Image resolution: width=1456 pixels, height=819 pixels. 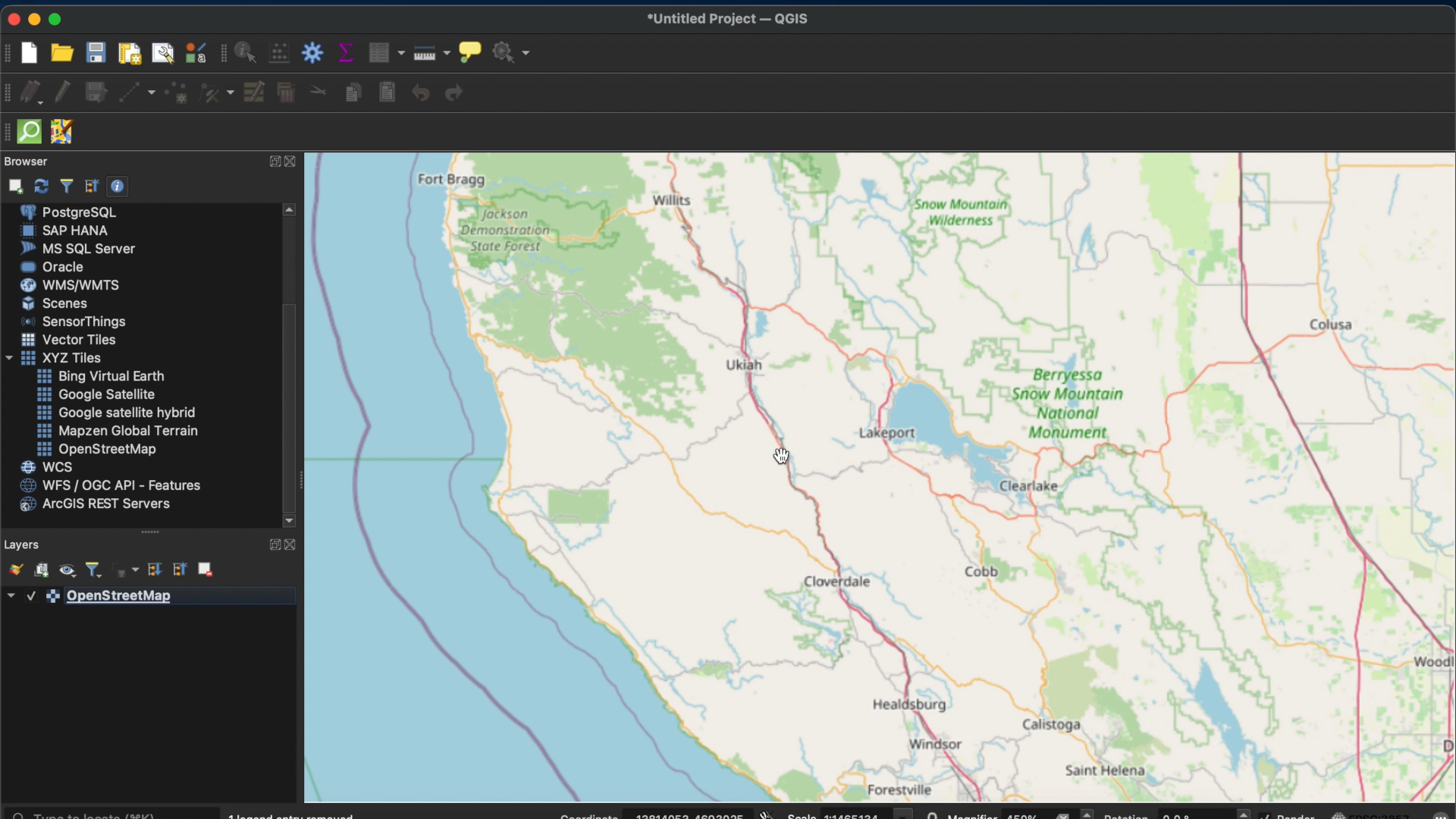 I want to click on save edits, so click(x=96, y=94).